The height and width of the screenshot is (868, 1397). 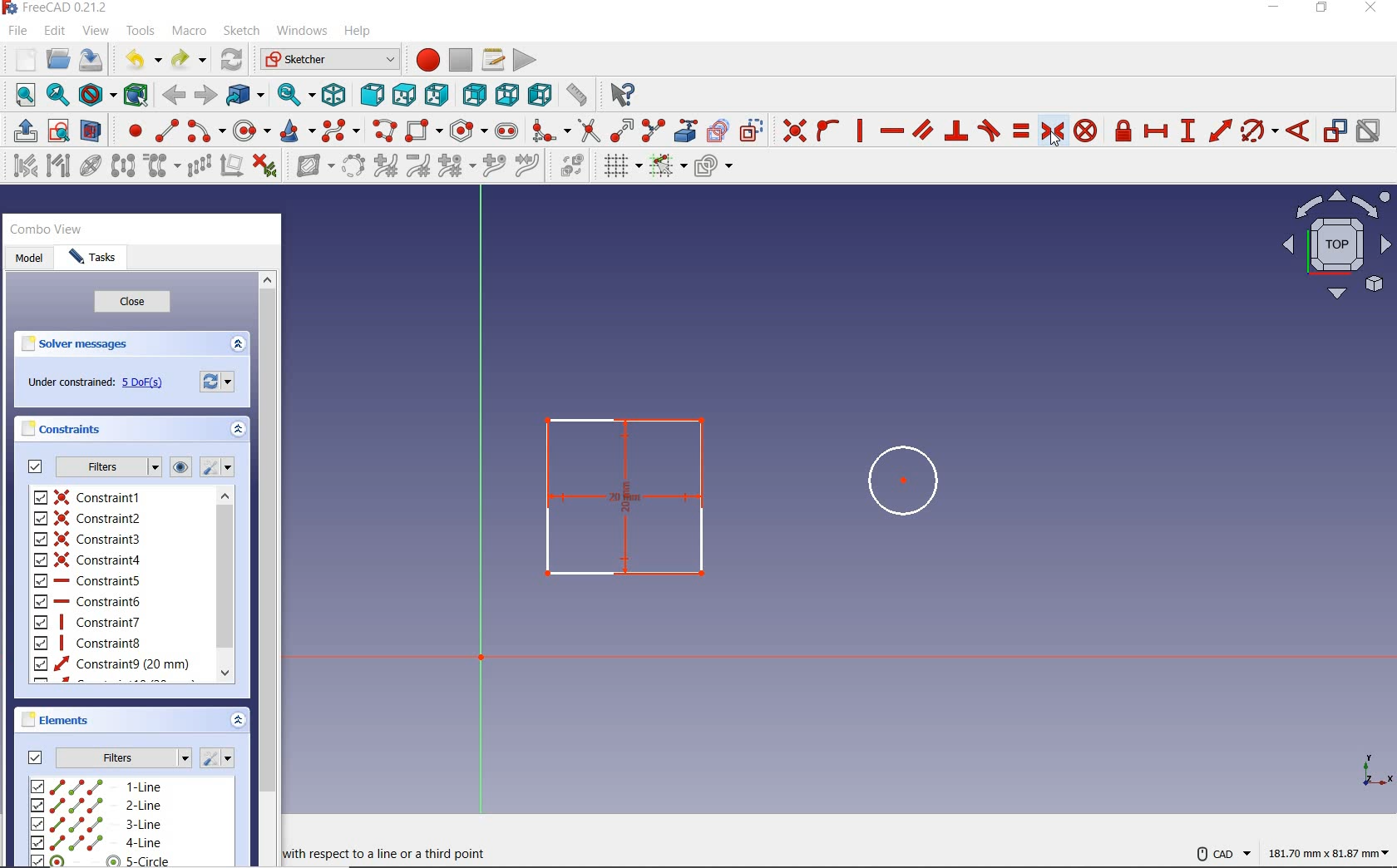 I want to click on combo view, so click(x=45, y=229).